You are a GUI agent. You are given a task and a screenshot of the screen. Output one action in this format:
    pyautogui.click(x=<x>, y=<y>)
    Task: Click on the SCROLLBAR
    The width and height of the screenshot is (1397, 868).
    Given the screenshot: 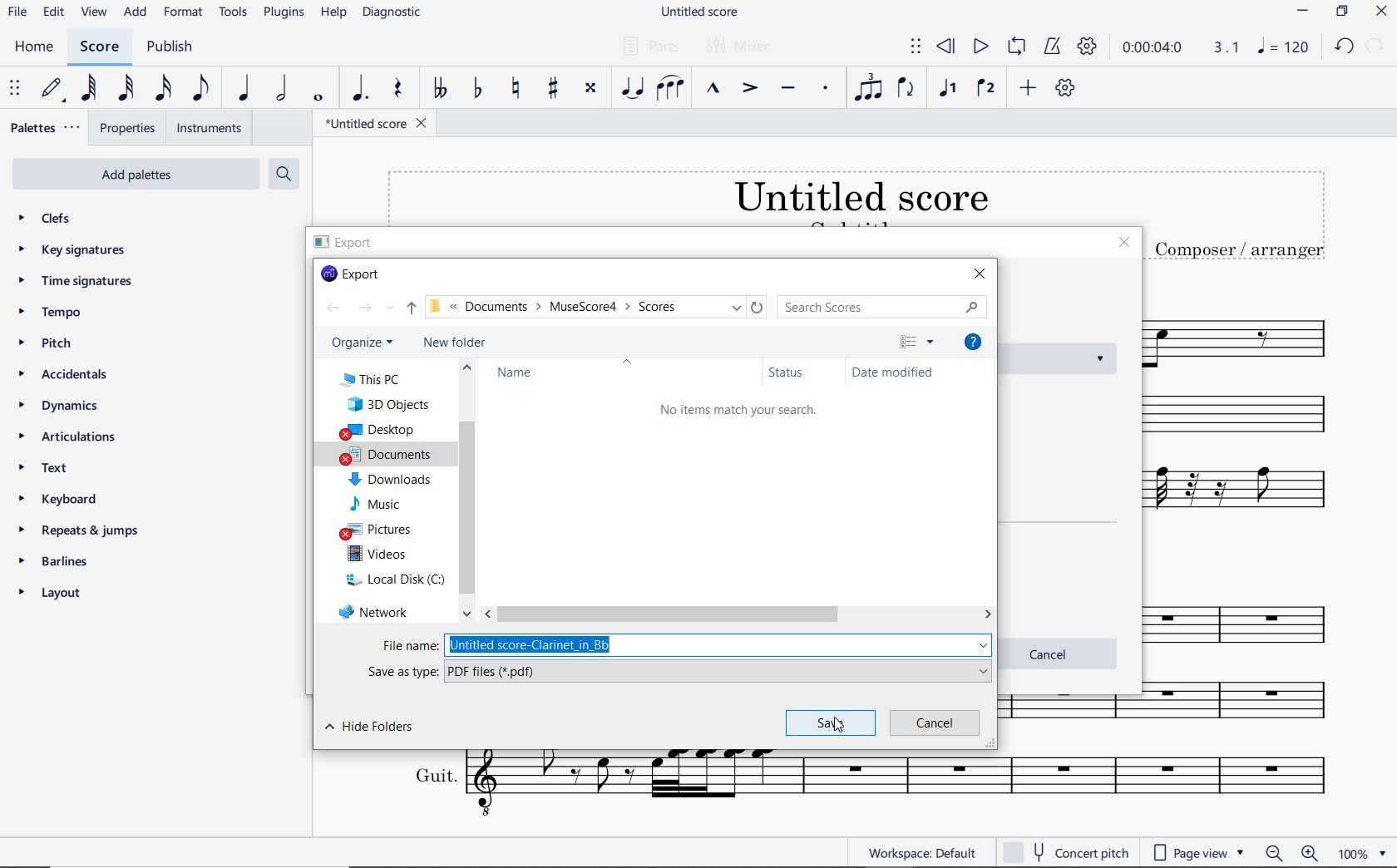 What is the action you would take?
    pyautogui.click(x=738, y=613)
    